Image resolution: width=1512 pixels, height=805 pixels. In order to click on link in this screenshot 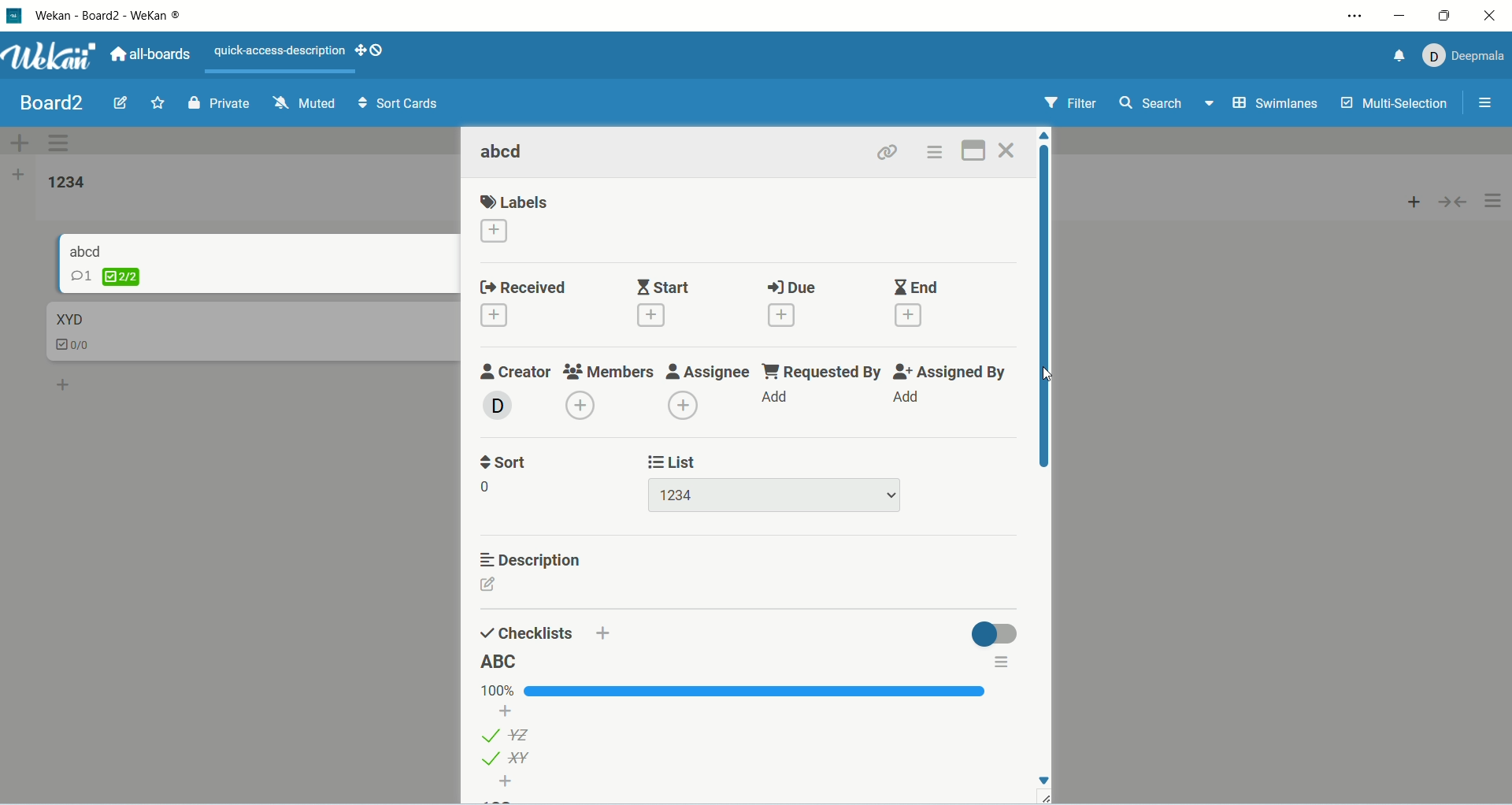, I will do `click(890, 153)`.